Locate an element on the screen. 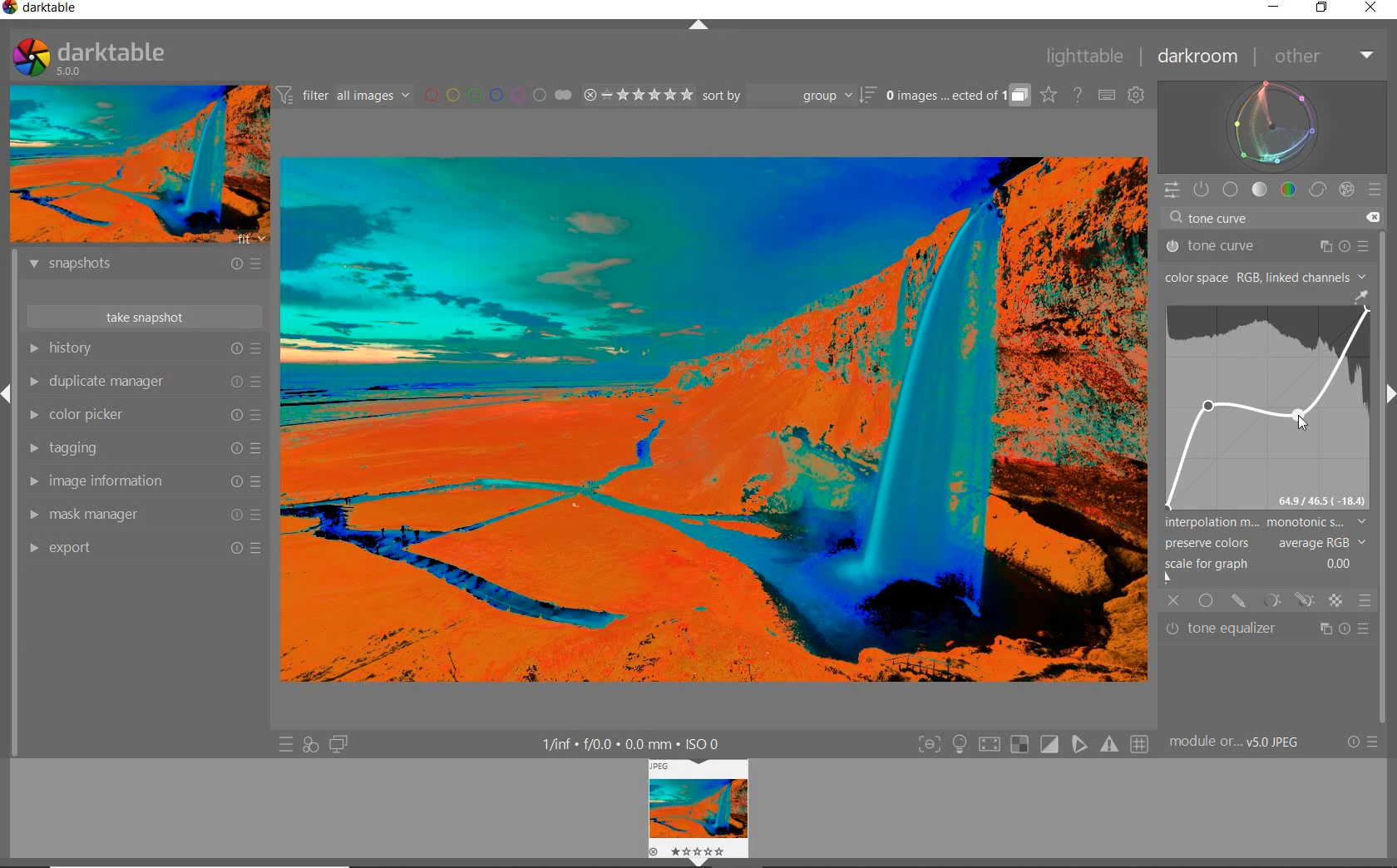  mask manager is located at coordinates (146, 515).